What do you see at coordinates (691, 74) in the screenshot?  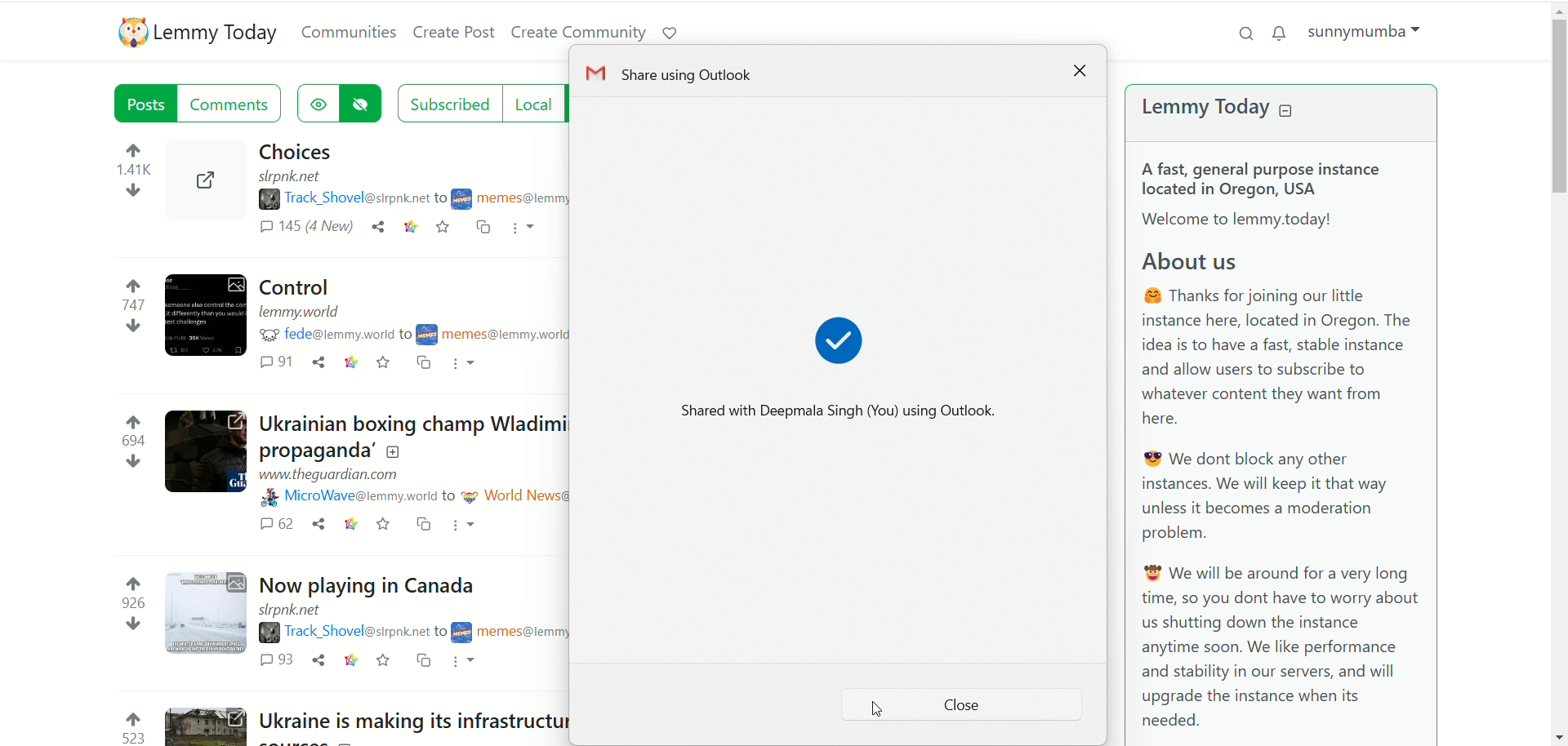 I see `Share using outlook` at bounding box center [691, 74].